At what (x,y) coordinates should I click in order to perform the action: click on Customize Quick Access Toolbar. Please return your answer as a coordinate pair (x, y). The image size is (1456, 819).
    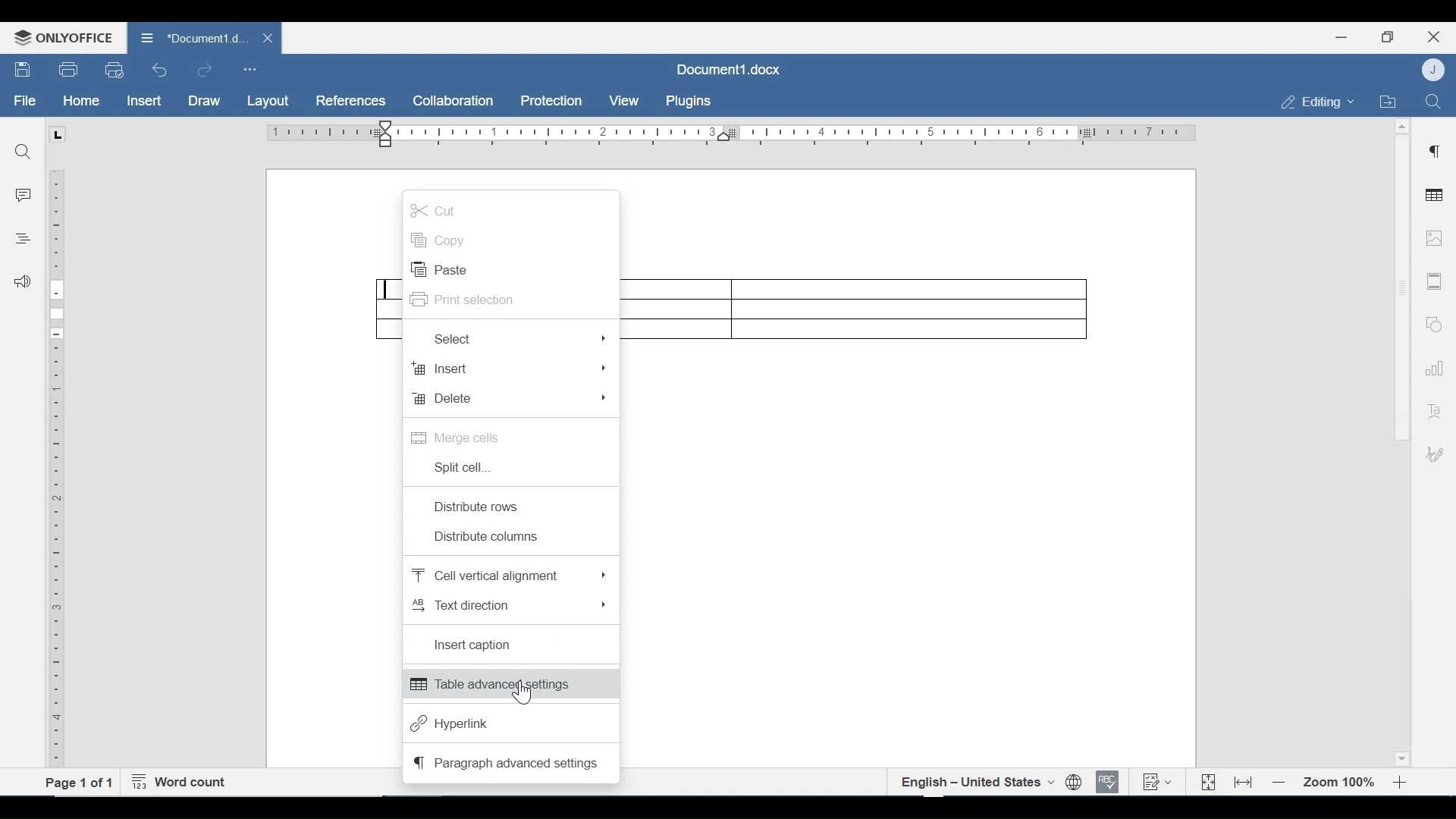
    Looking at the image, I should click on (249, 69).